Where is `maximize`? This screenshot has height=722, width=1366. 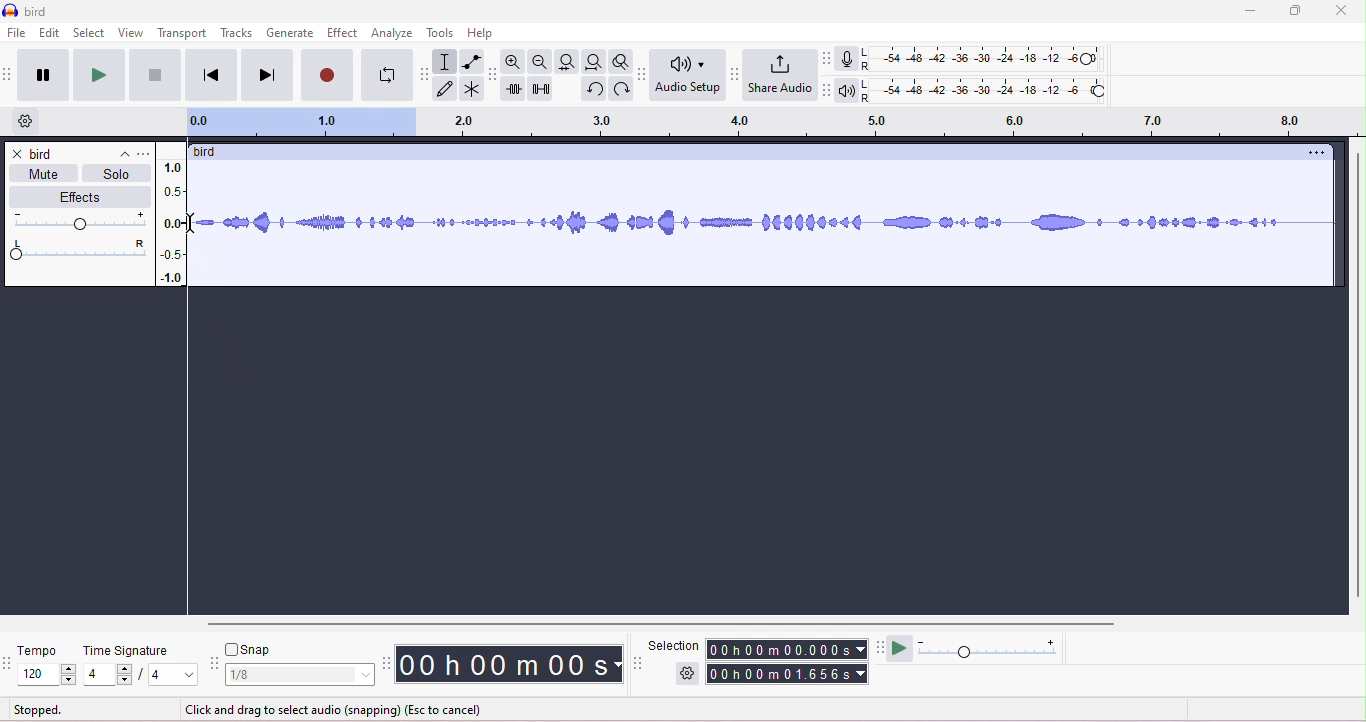
maximize is located at coordinates (1293, 11).